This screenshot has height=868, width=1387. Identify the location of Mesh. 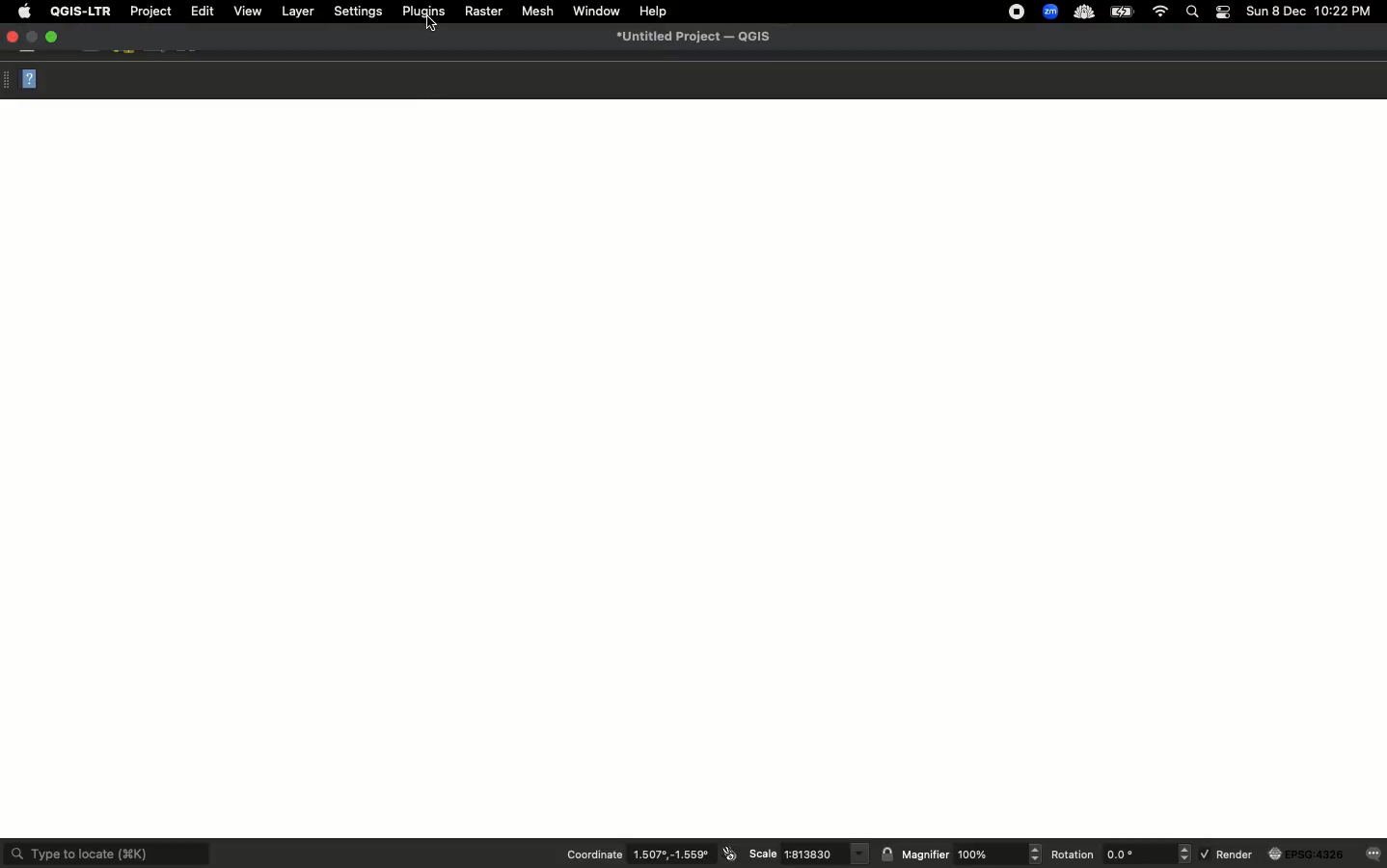
(537, 12).